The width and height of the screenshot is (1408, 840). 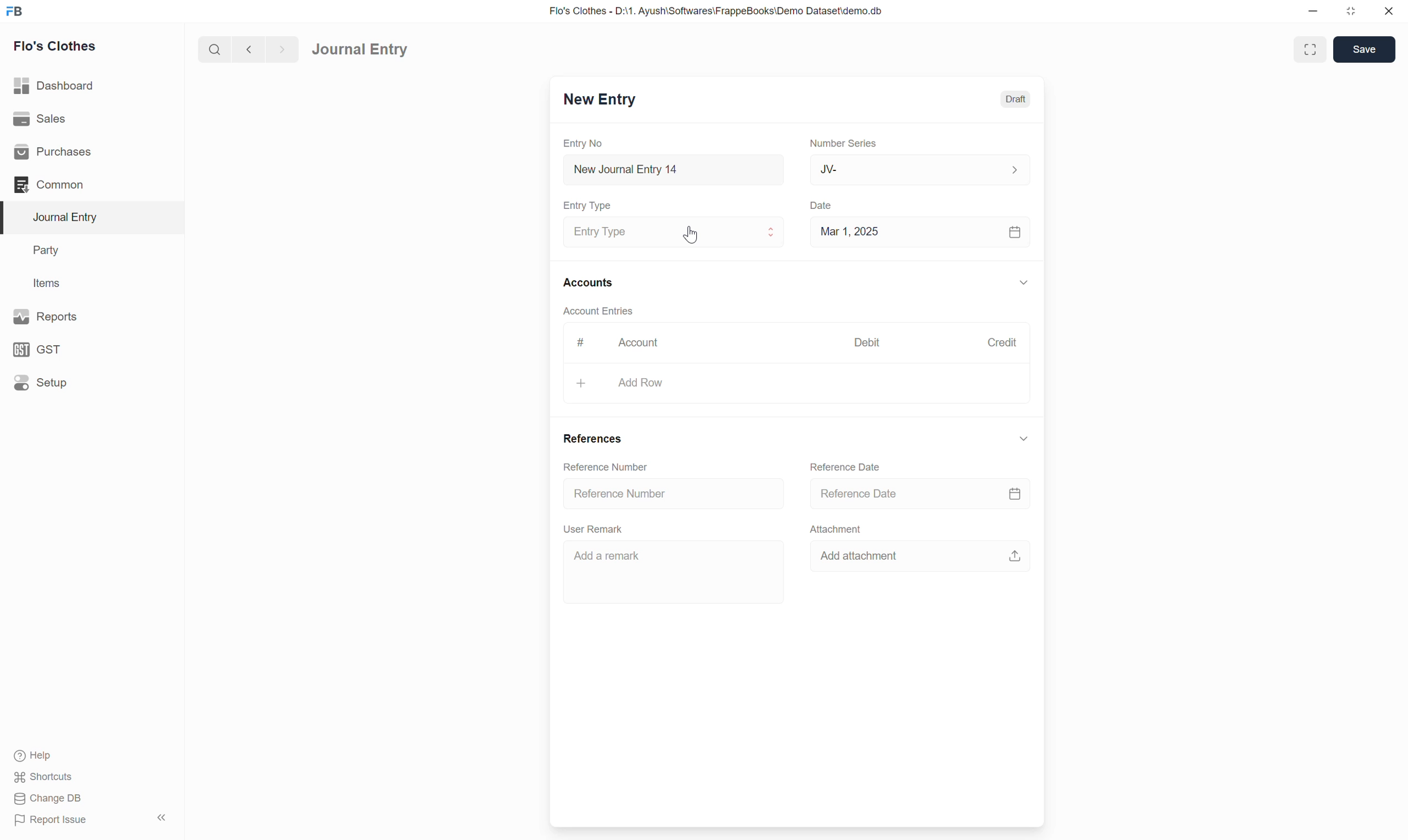 What do you see at coordinates (246, 49) in the screenshot?
I see `back` at bounding box center [246, 49].